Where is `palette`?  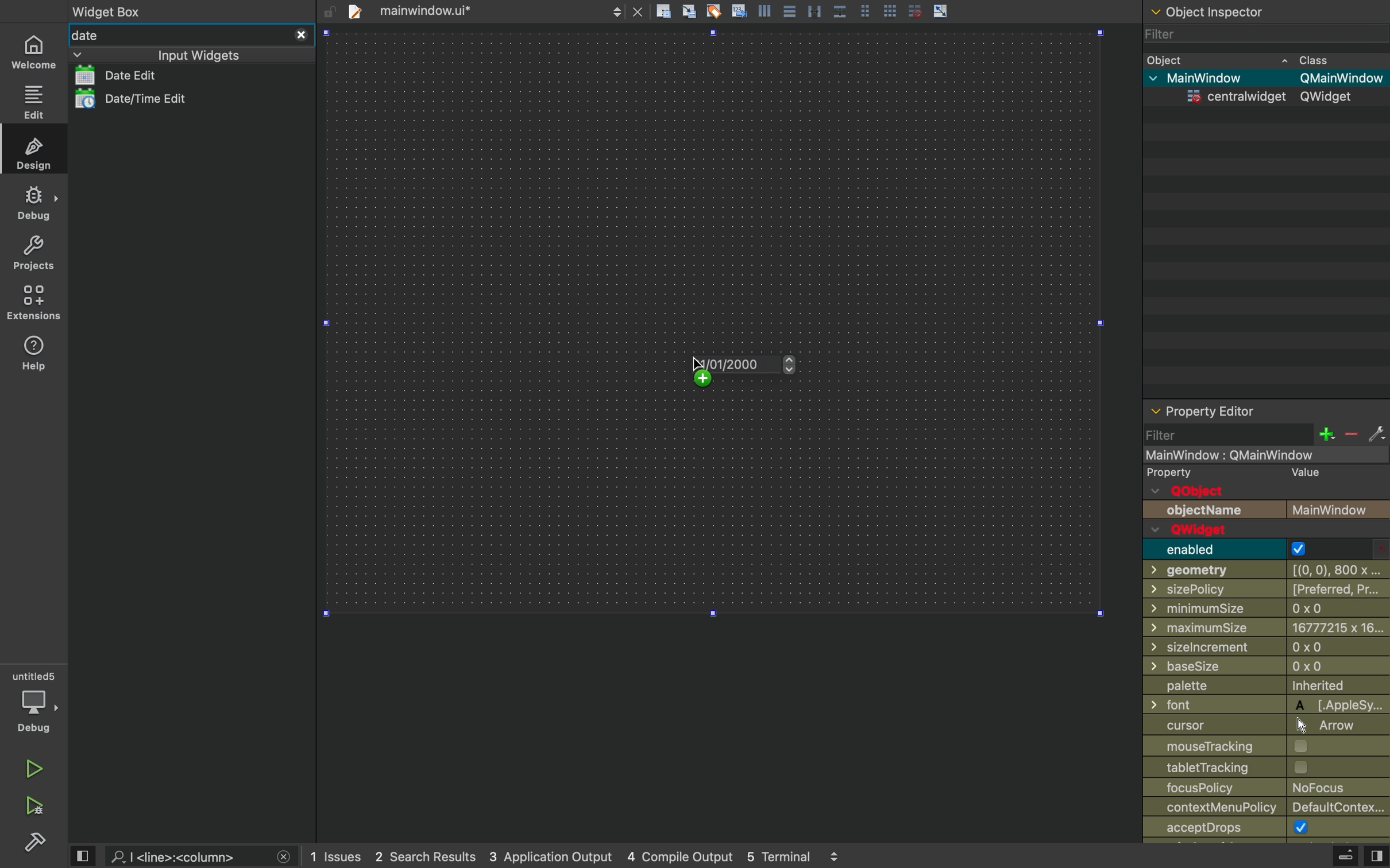
palette is located at coordinates (1266, 687).